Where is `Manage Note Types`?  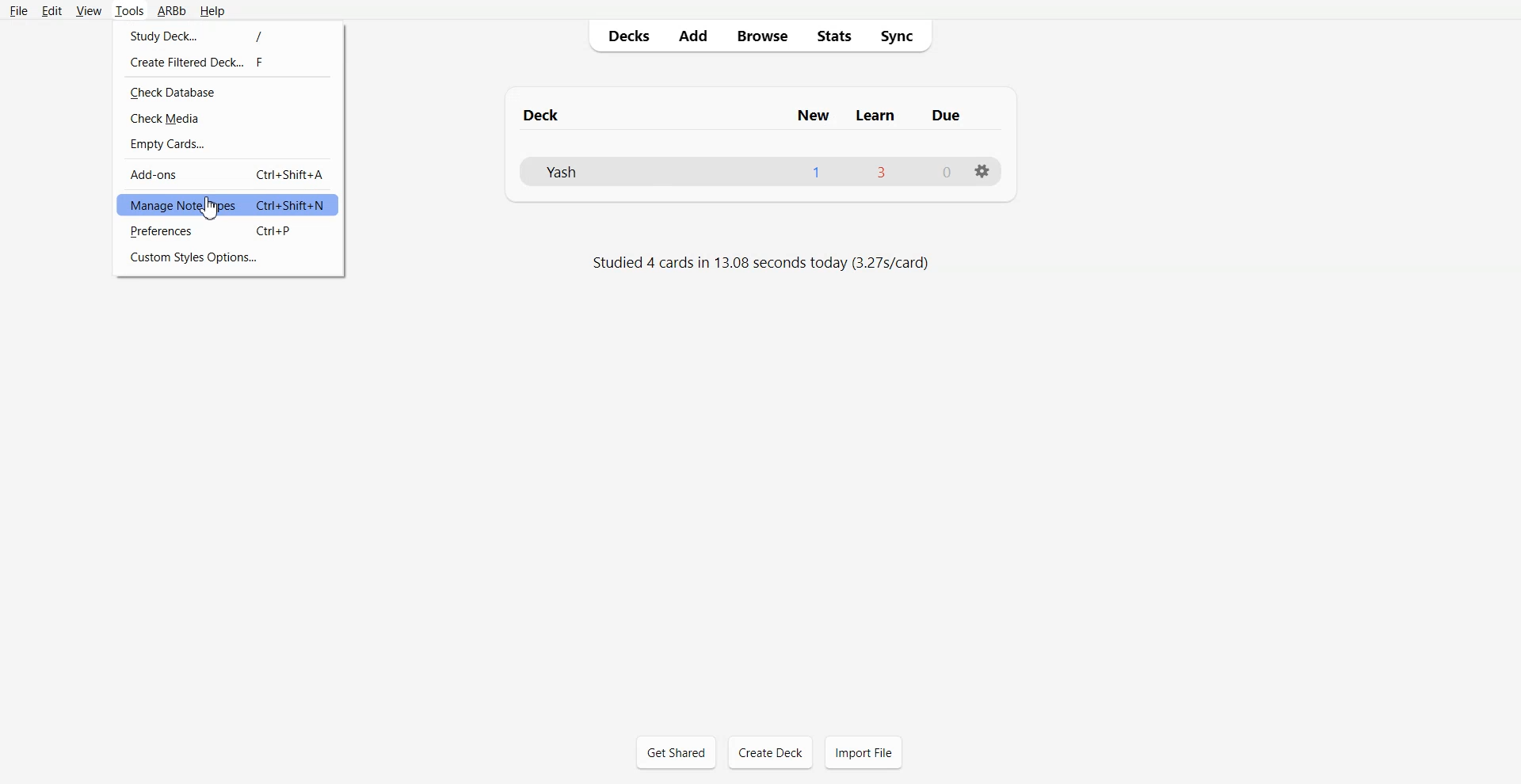 Manage Note Types is located at coordinates (227, 204).